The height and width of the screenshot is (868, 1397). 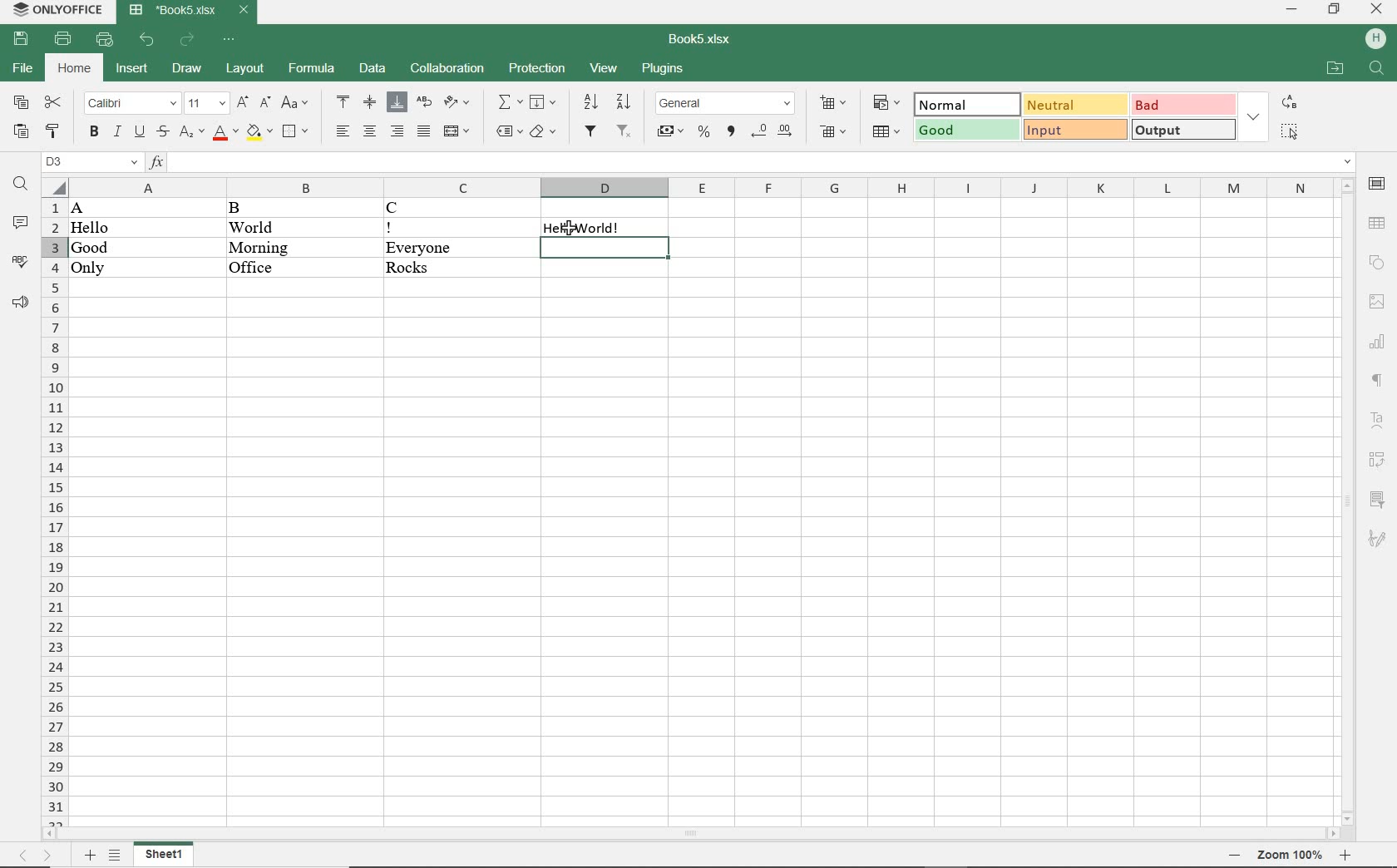 I want to click on BORDERS, so click(x=295, y=131).